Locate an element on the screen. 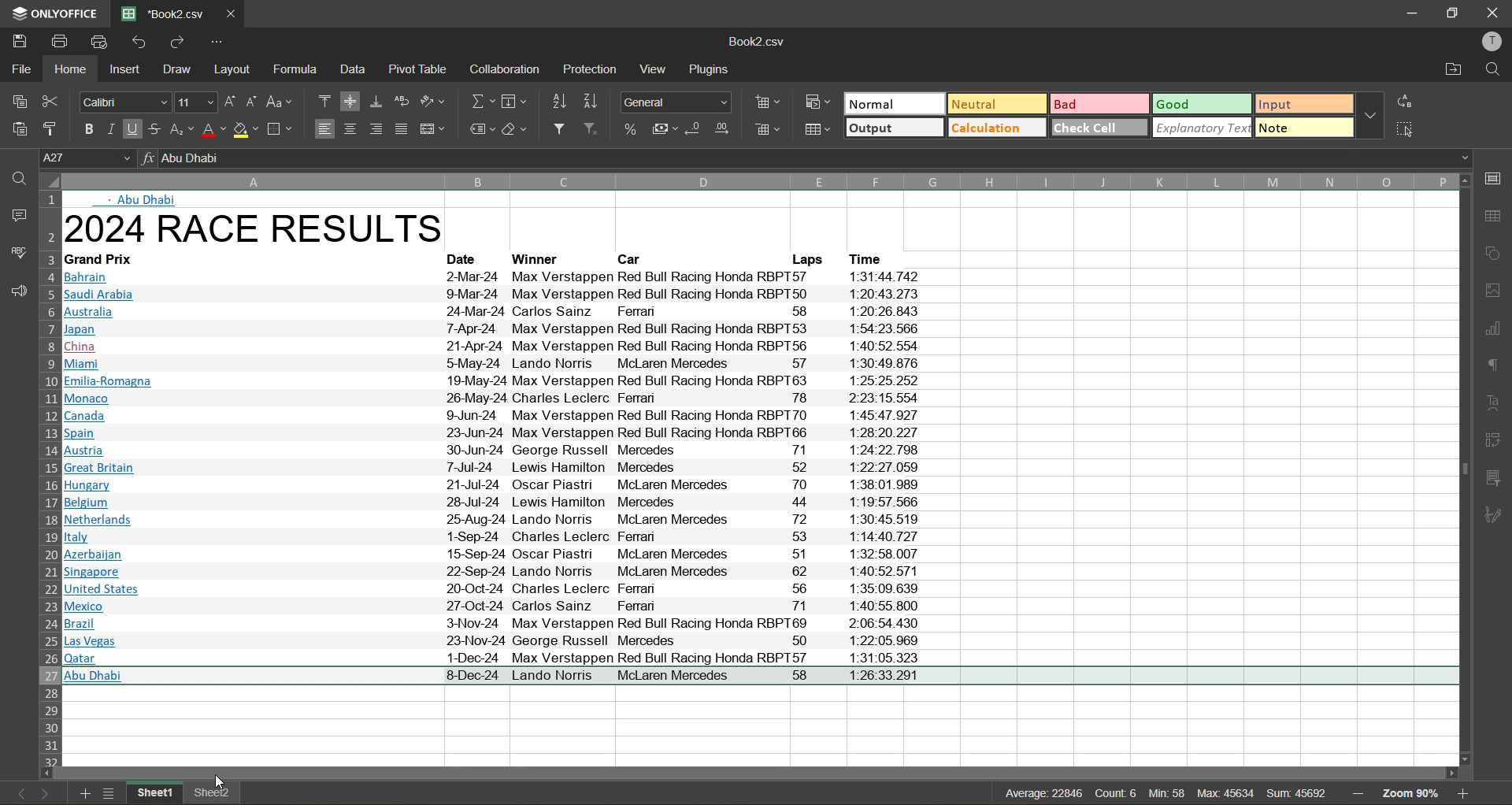  align top is located at coordinates (325, 103).